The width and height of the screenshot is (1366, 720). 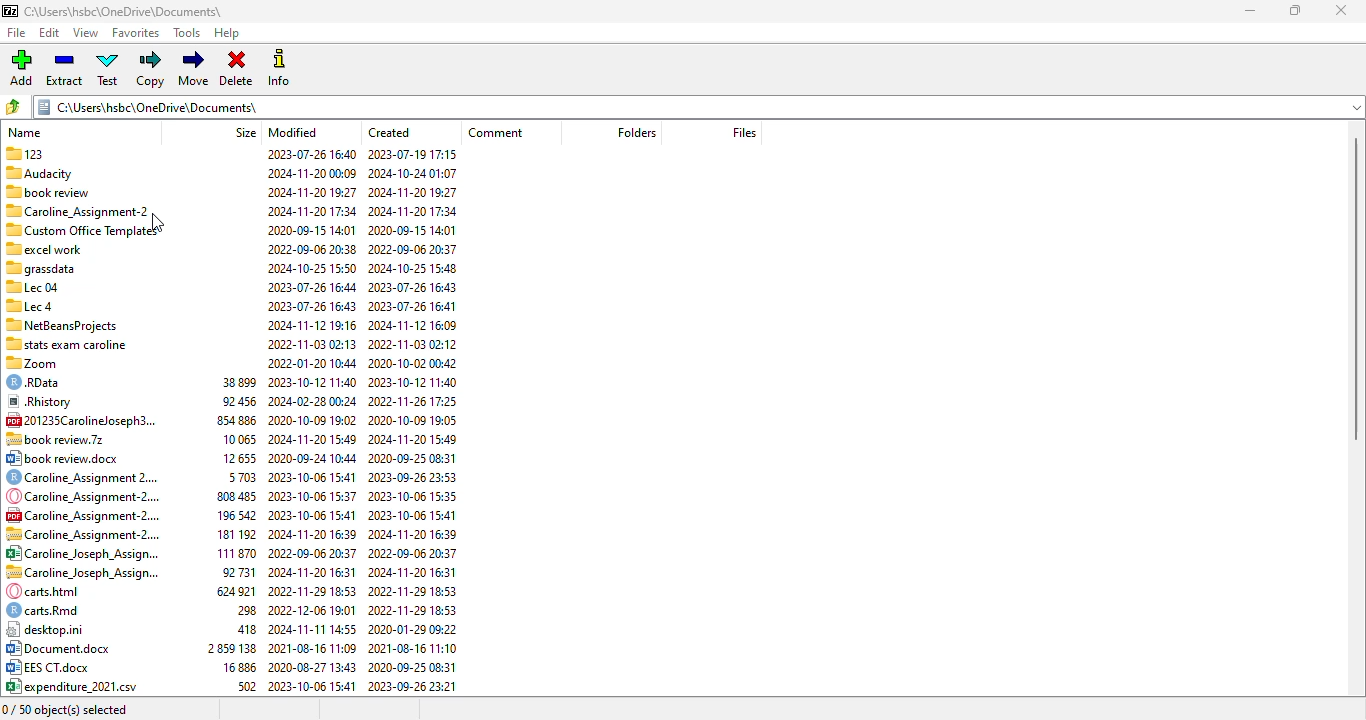 What do you see at coordinates (82, 572) in the screenshot?
I see `Z= Caroline Joseph_Assign...` at bounding box center [82, 572].